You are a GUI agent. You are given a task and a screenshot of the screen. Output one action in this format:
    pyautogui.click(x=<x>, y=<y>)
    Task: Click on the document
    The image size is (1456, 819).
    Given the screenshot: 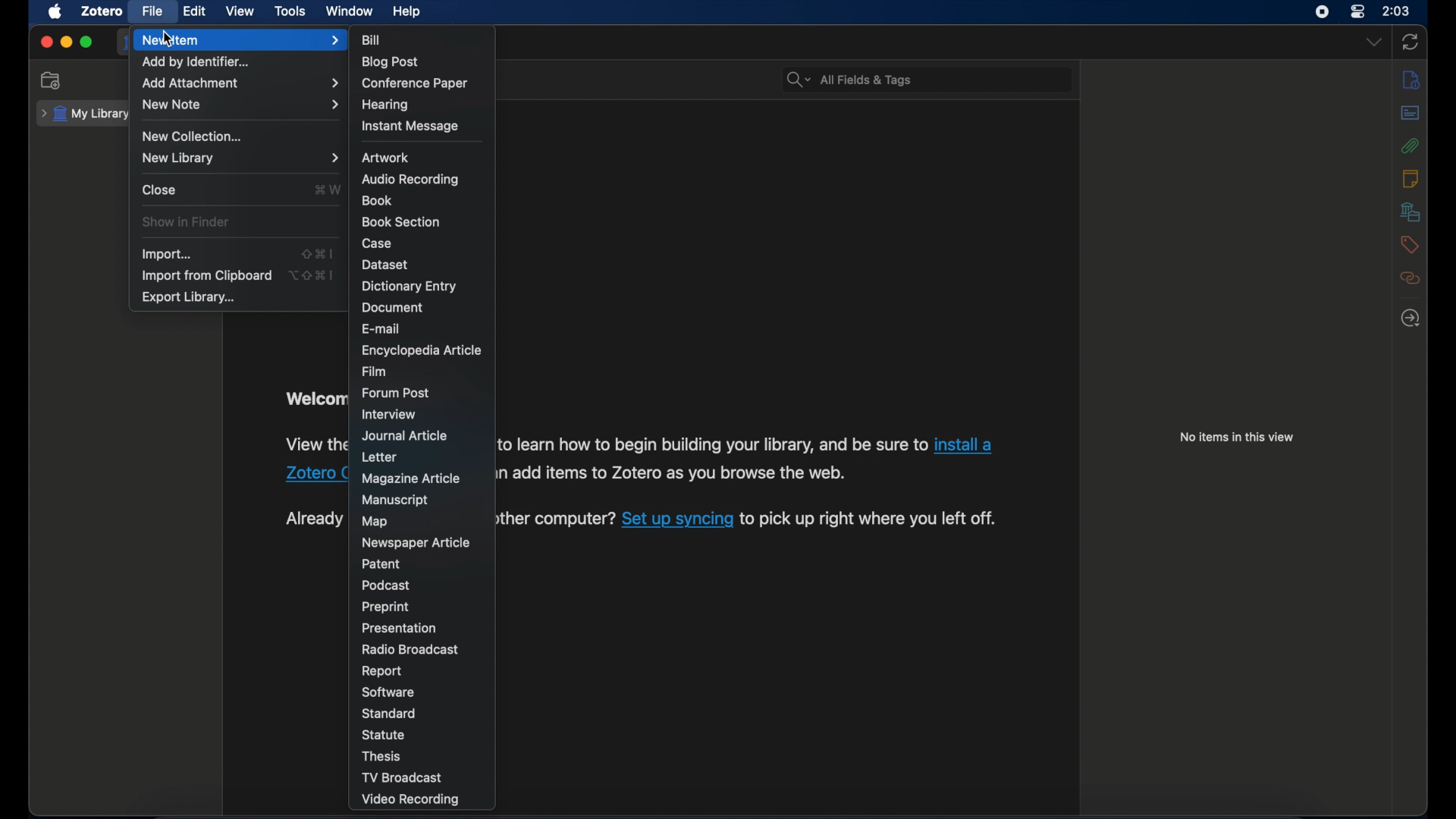 What is the action you would take?
    pyautogui.click(x=395, y=309)
    